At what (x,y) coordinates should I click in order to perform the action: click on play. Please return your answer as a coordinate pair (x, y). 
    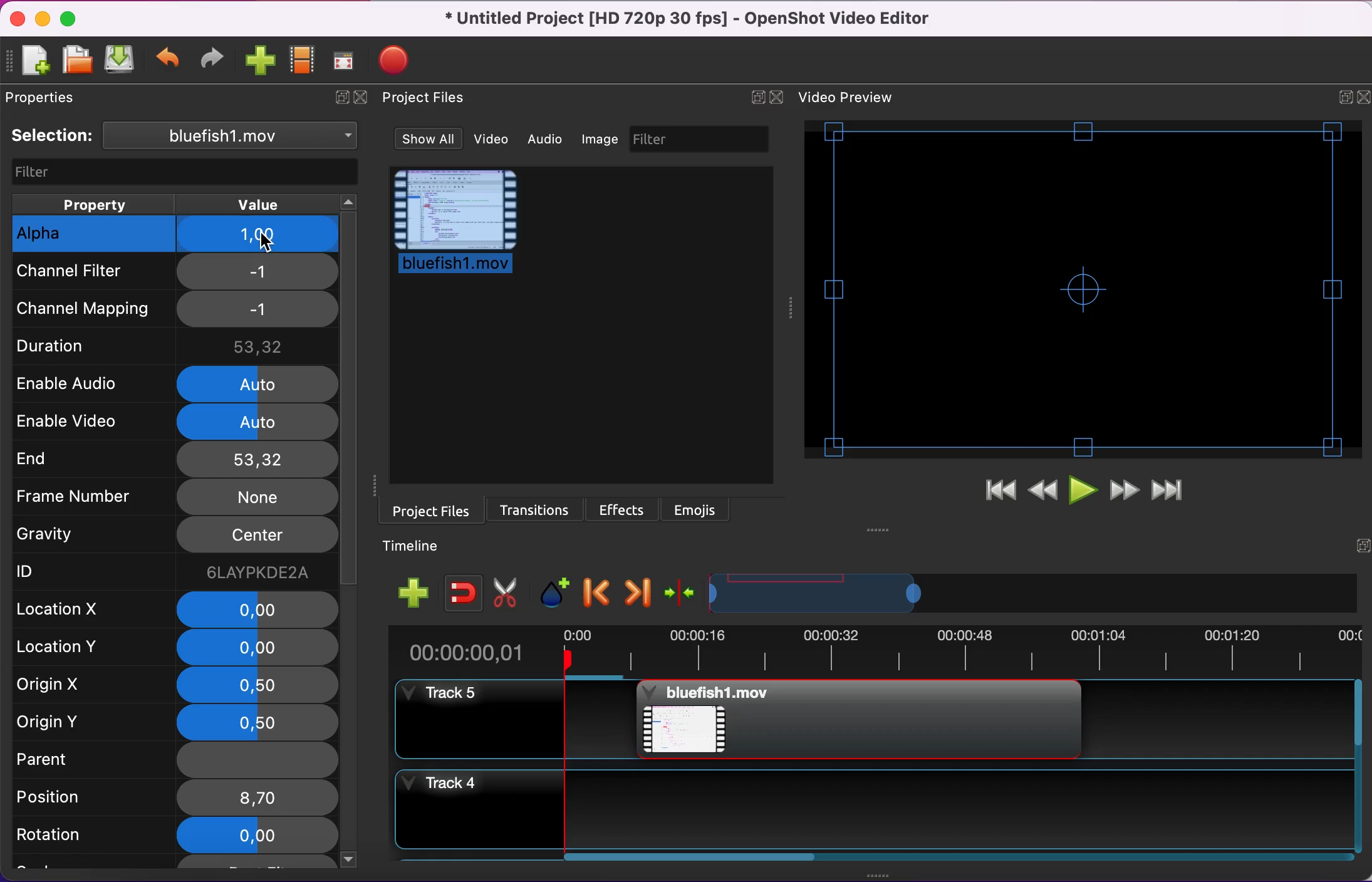
    Looking at the image, I should click on (1084, 491).